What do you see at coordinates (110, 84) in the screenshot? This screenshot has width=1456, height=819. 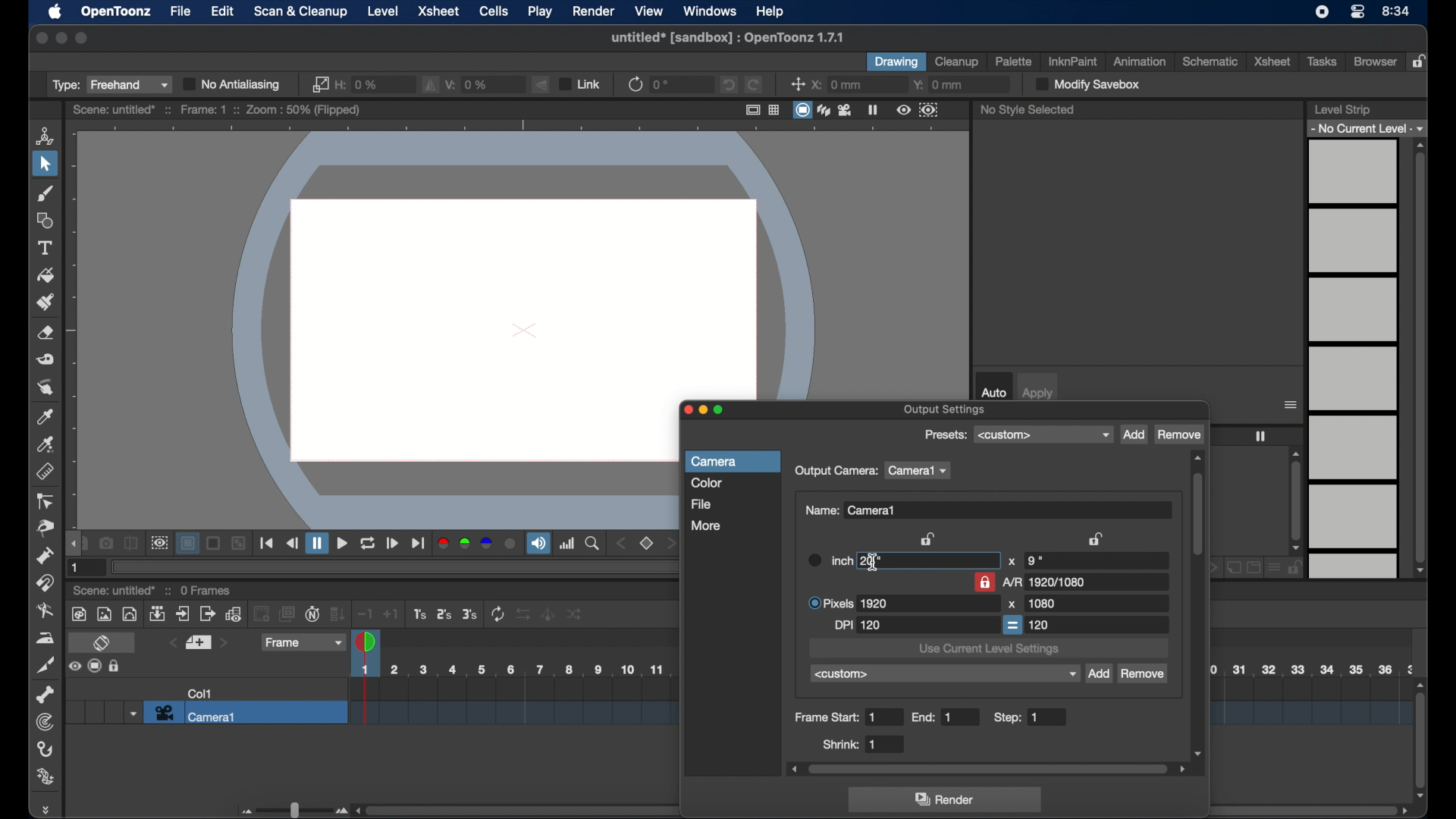 I see `type` at bounding box center [110, 84].